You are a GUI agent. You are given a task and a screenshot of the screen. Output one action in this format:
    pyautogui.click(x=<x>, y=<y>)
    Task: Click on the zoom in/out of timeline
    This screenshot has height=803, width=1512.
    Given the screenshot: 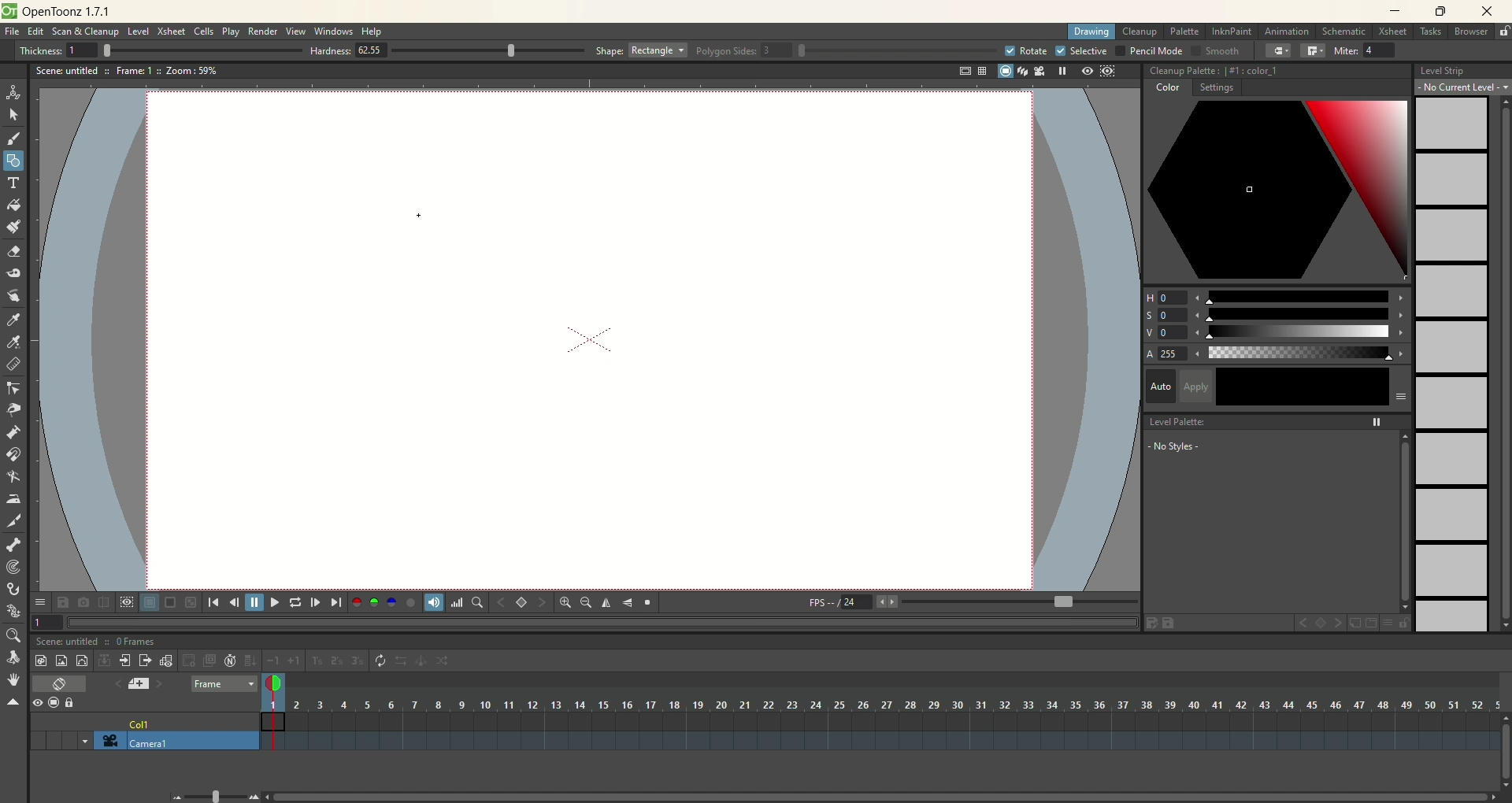 What is the action you would take?
    pyautogui.click(x=215, y=795)
    